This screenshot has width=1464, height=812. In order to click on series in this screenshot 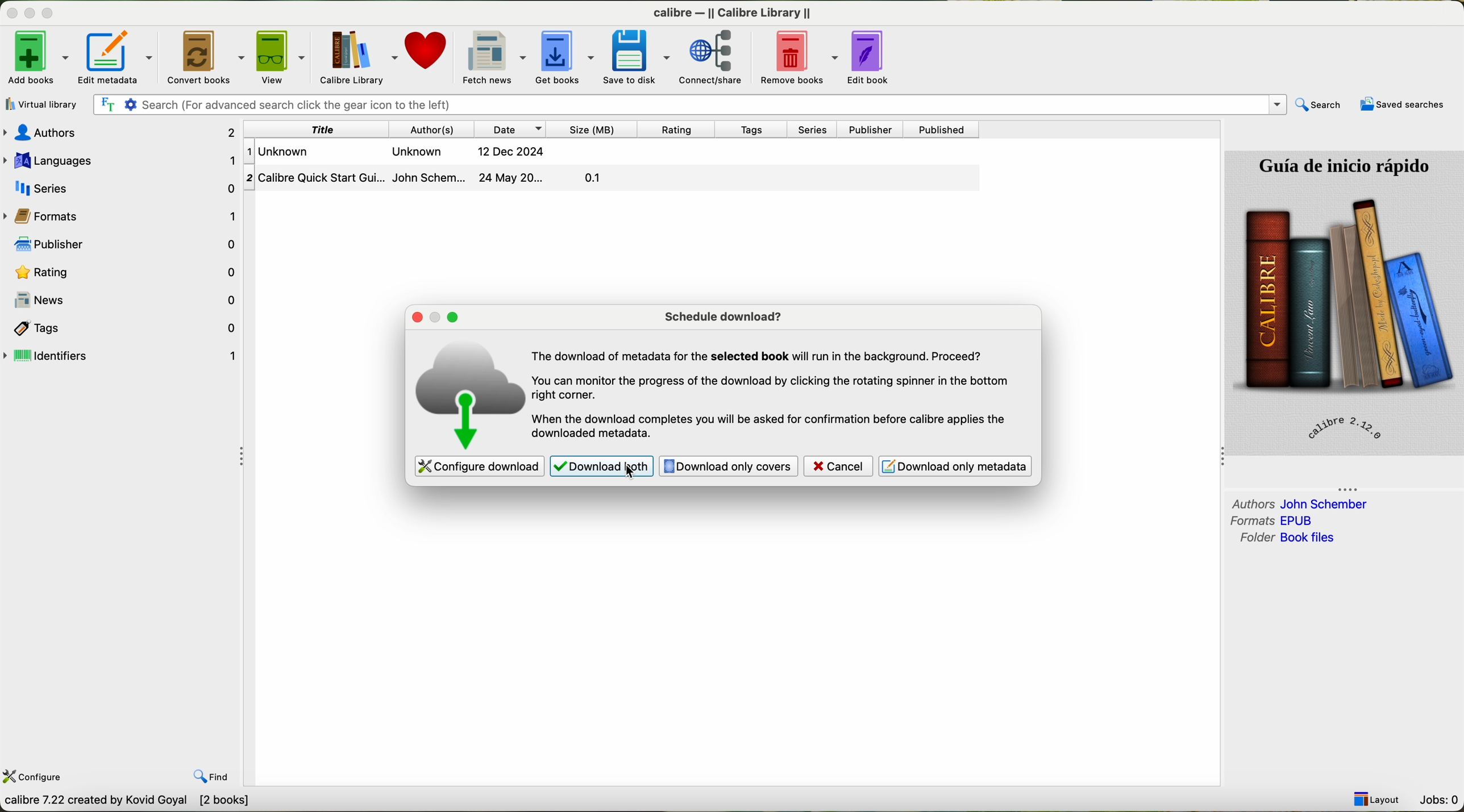, I will do `click(813, 130)`.